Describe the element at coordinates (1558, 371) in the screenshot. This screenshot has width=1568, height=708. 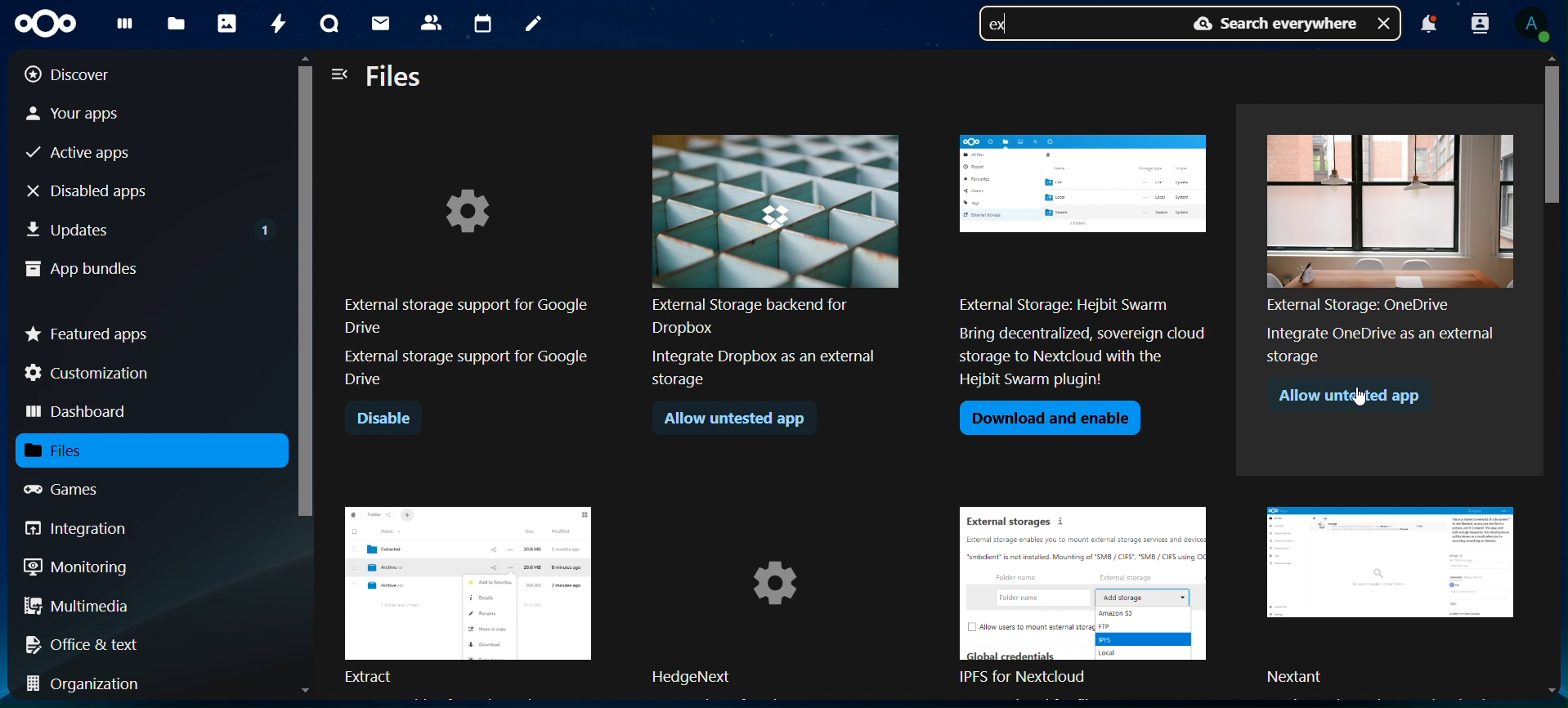
I see `scrollbar` at that location.